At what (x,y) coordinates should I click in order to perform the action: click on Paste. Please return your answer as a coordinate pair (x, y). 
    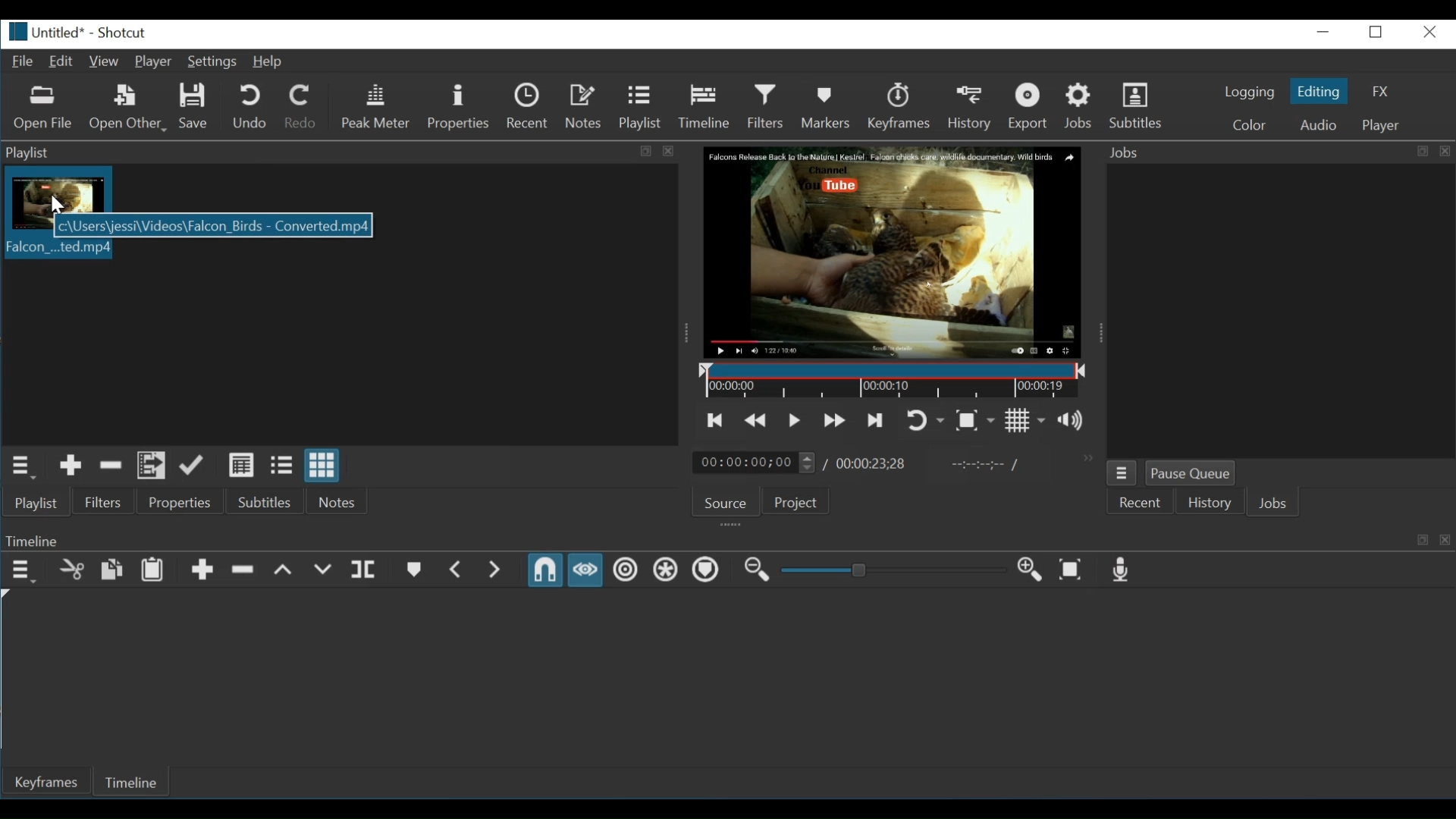
    Looking at the image, I should click on (152, 570).